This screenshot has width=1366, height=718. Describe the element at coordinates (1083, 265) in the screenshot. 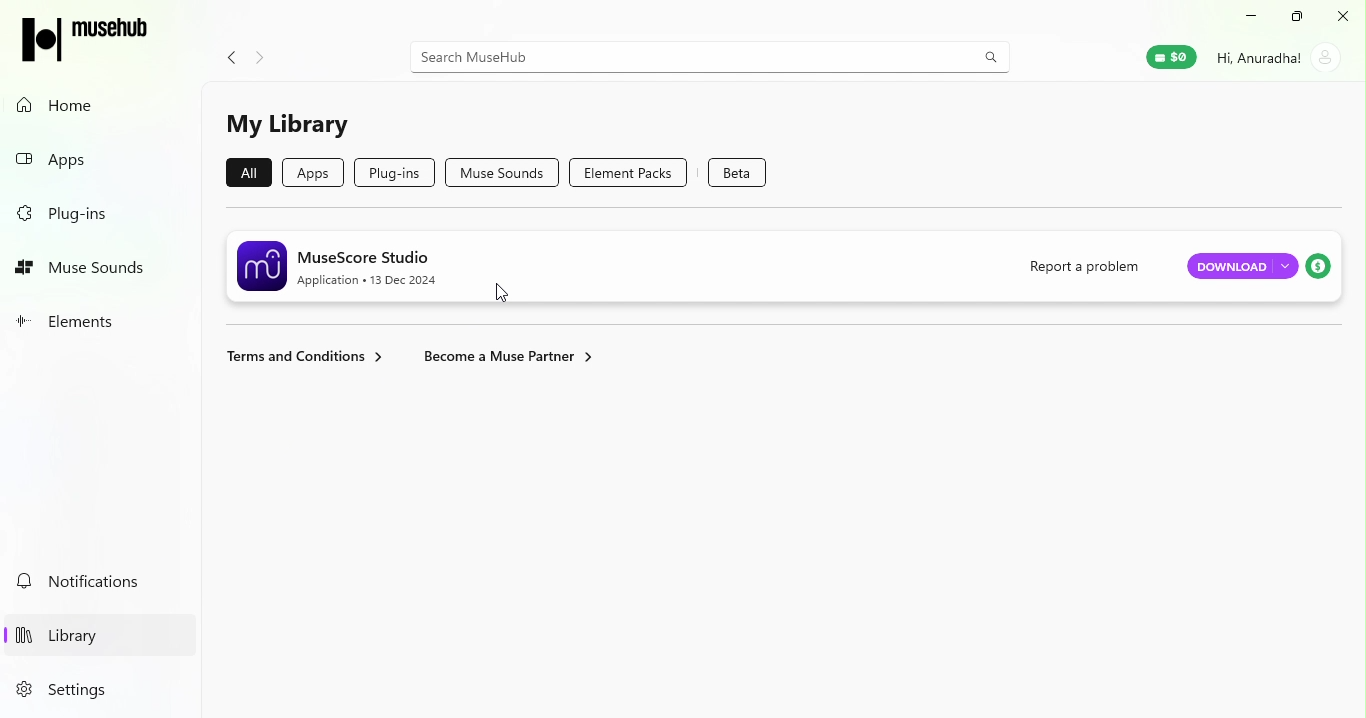

I see `report a problem` at that location.